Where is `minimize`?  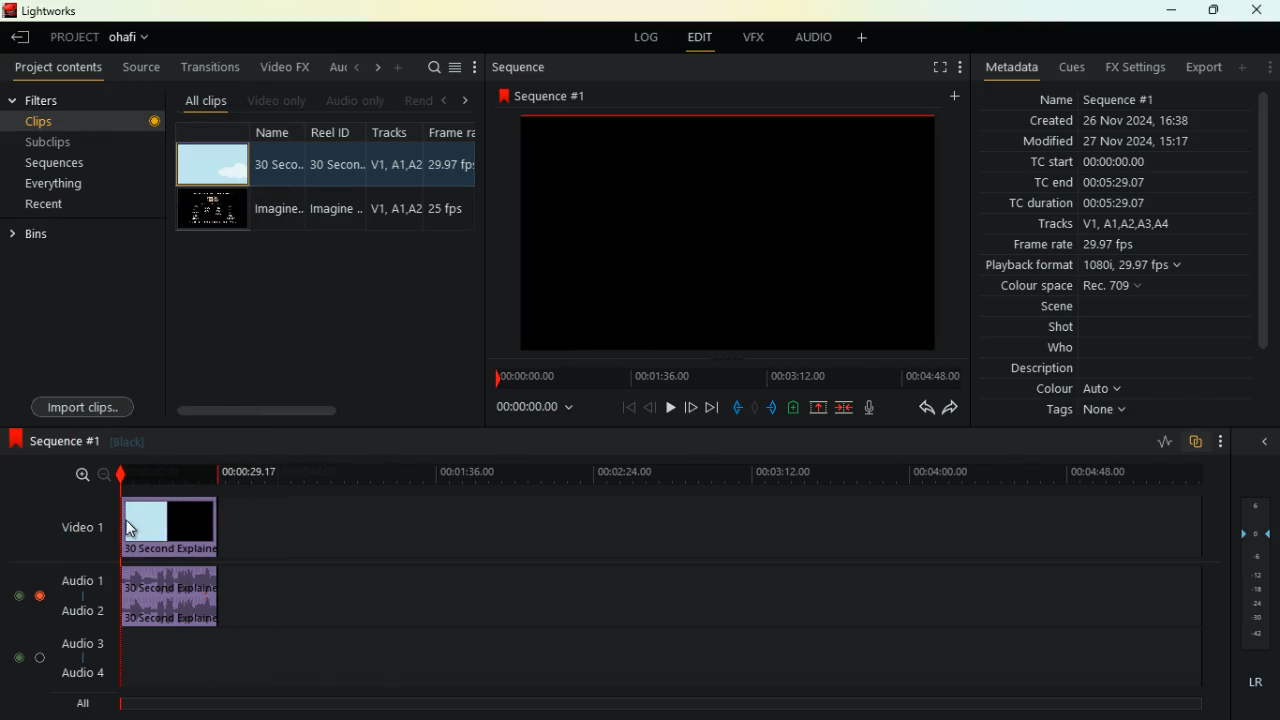 minimize is located at coordinates (1166, 11).